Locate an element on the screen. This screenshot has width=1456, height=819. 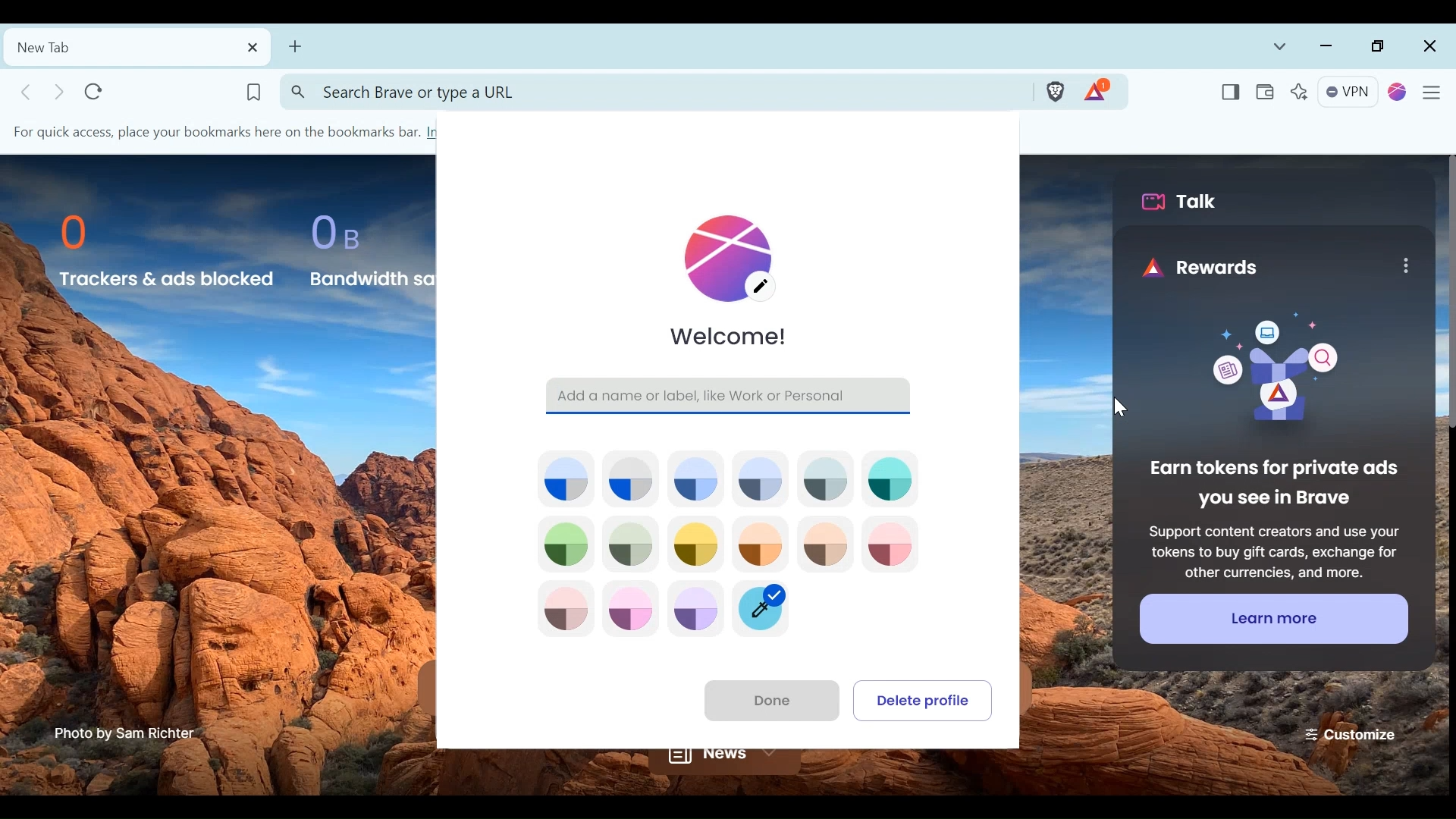
Theme is located at coordinates (565, 544).